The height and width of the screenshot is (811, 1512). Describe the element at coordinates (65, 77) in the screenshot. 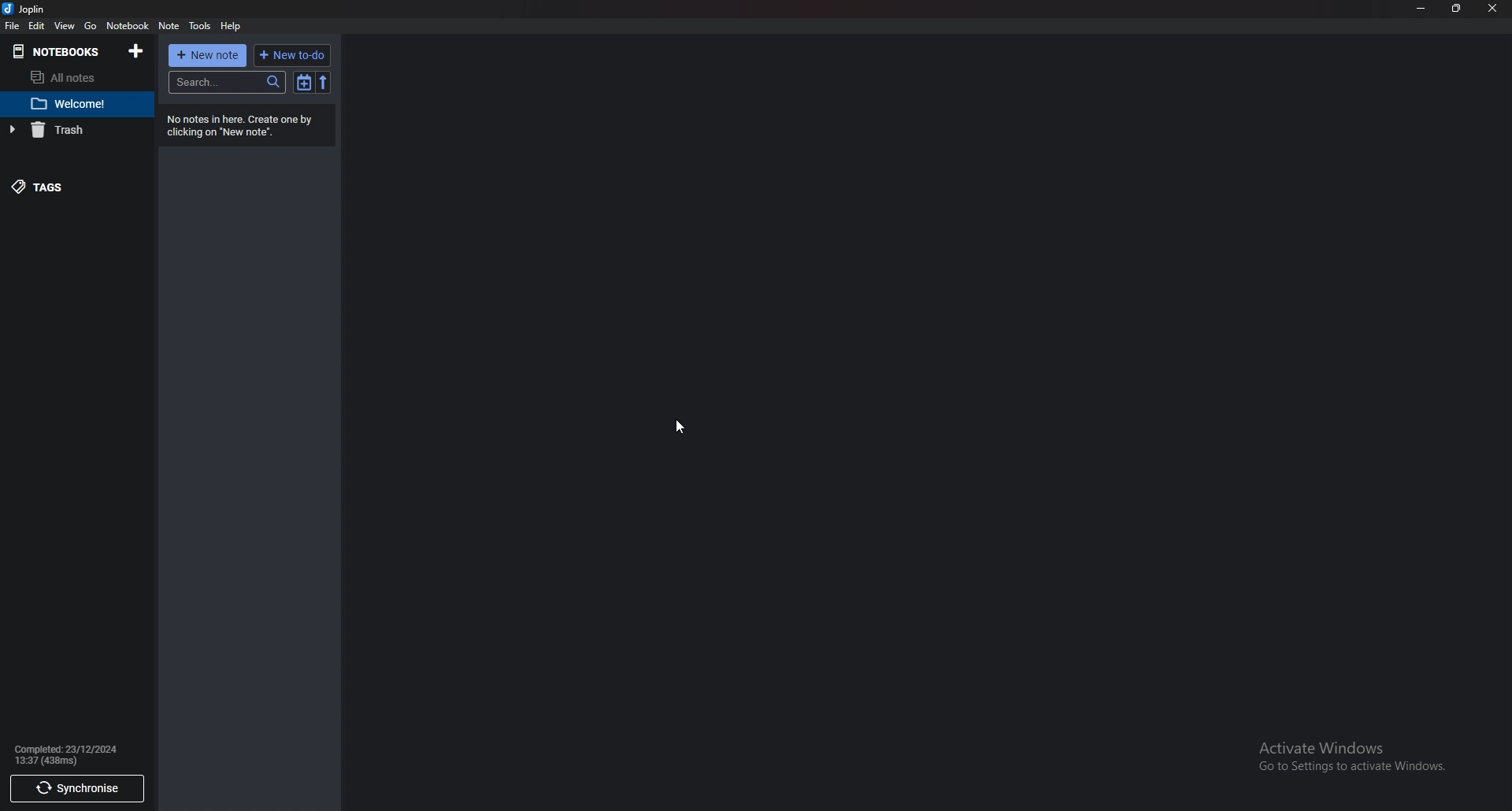

I see `All notes` at that location.